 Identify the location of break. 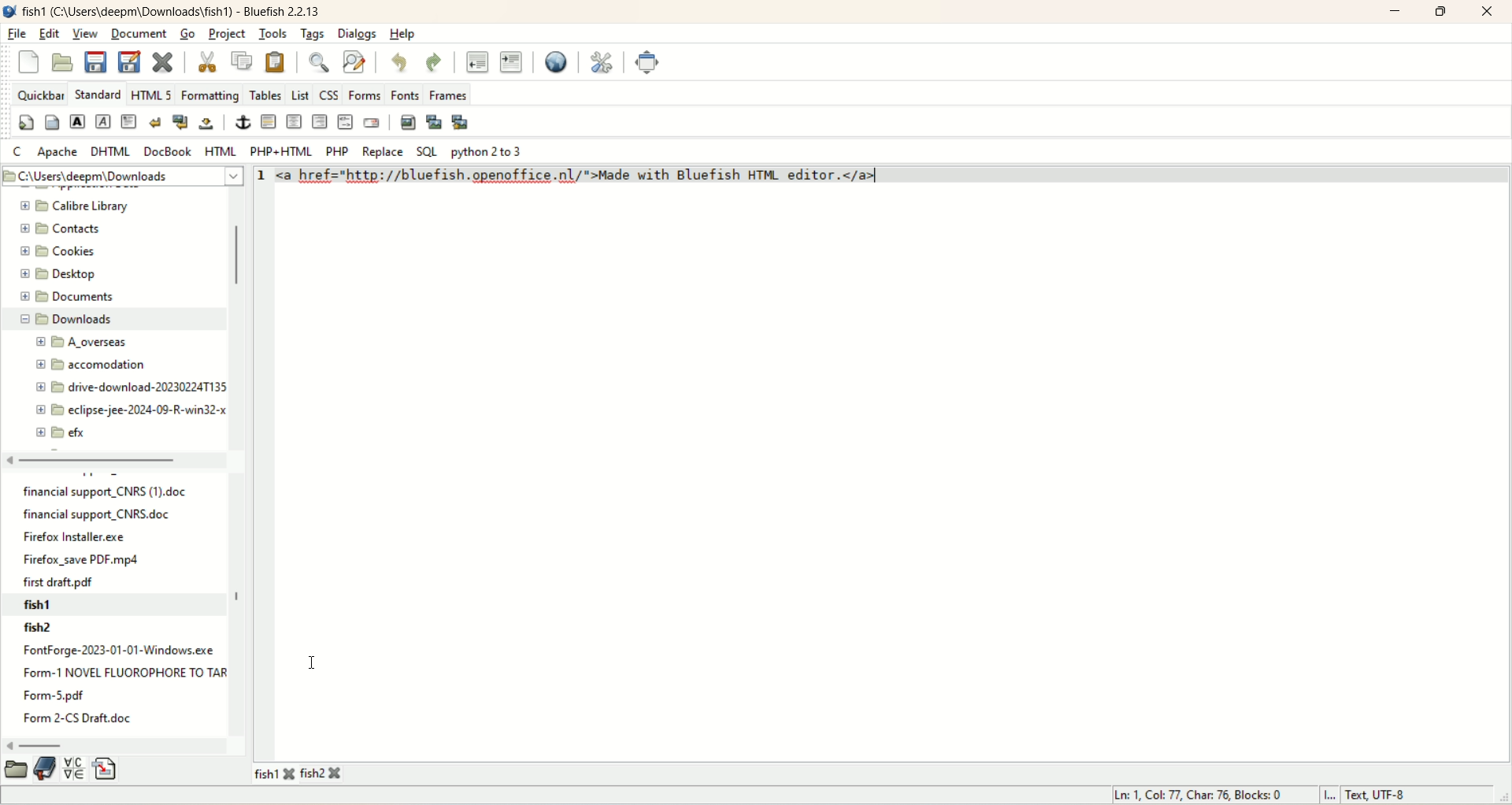
(157, 124).